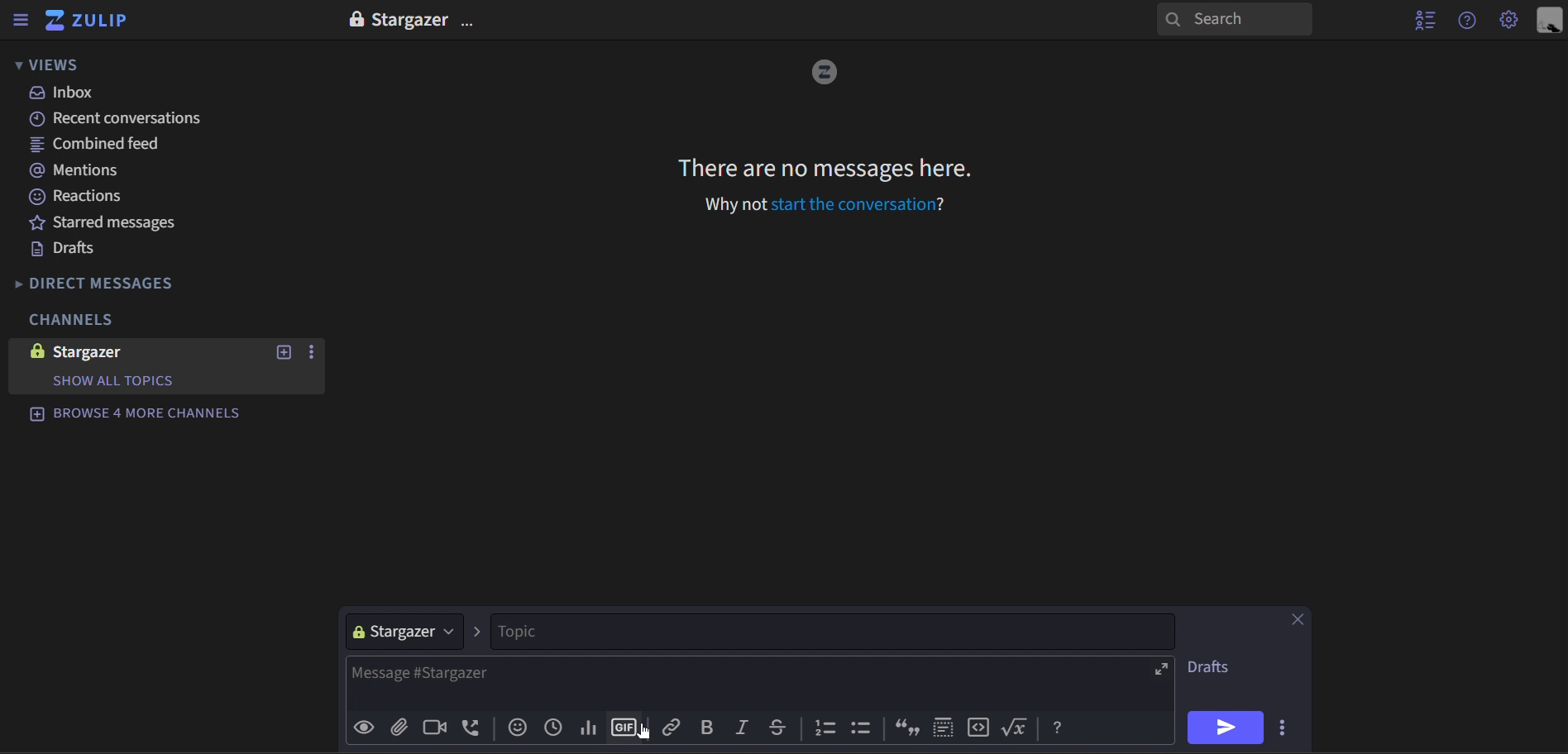 The image size is (1568, 754). What do you see at coordinates (442, 729) in the screenshot?
I see `add video call` at bounding box center [442, 729].